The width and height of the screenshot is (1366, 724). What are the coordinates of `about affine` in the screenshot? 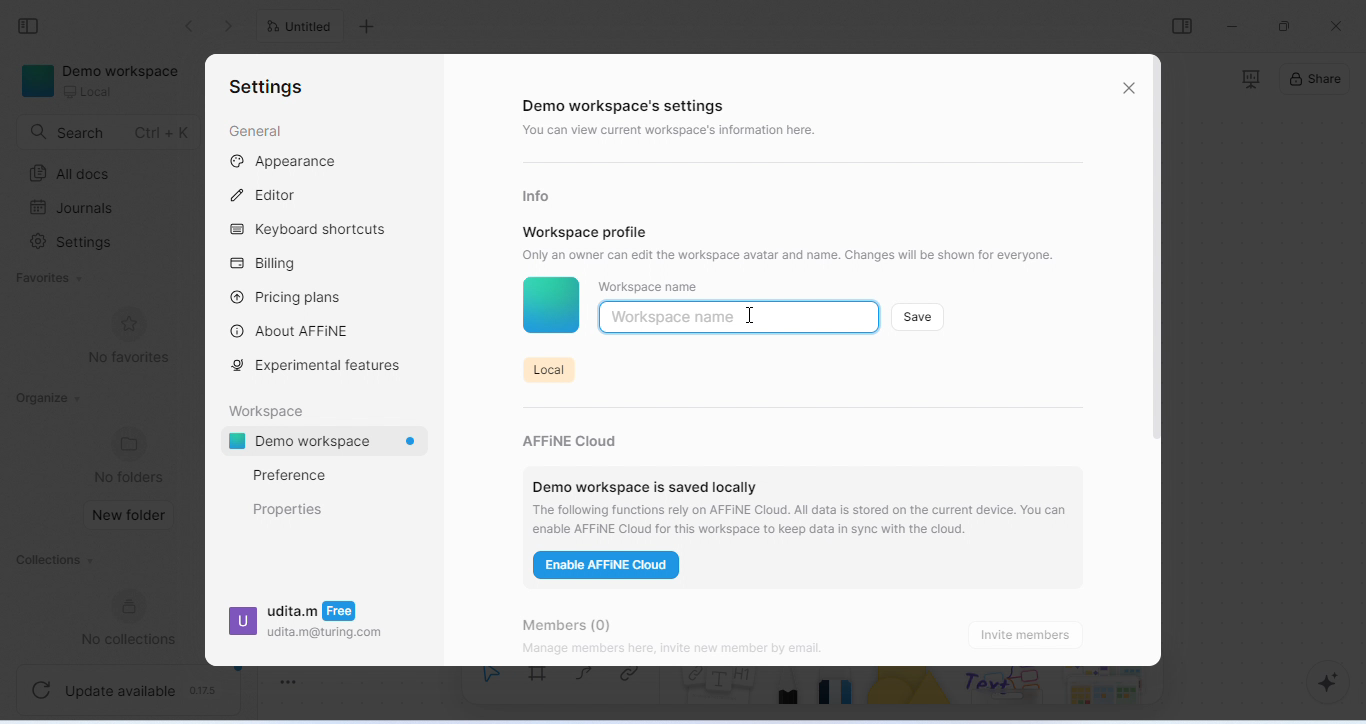 It's located at (293, 330).